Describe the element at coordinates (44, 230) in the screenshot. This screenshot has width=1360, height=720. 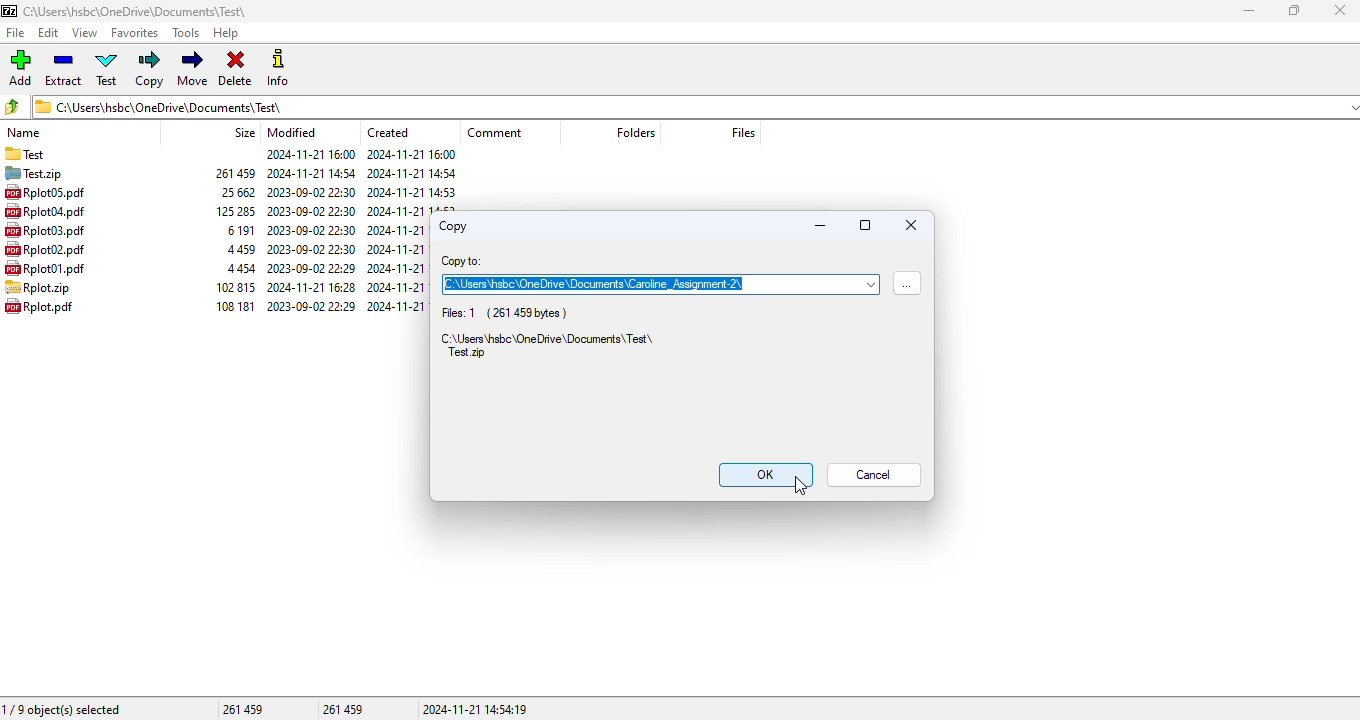
I see `file name` at that location.